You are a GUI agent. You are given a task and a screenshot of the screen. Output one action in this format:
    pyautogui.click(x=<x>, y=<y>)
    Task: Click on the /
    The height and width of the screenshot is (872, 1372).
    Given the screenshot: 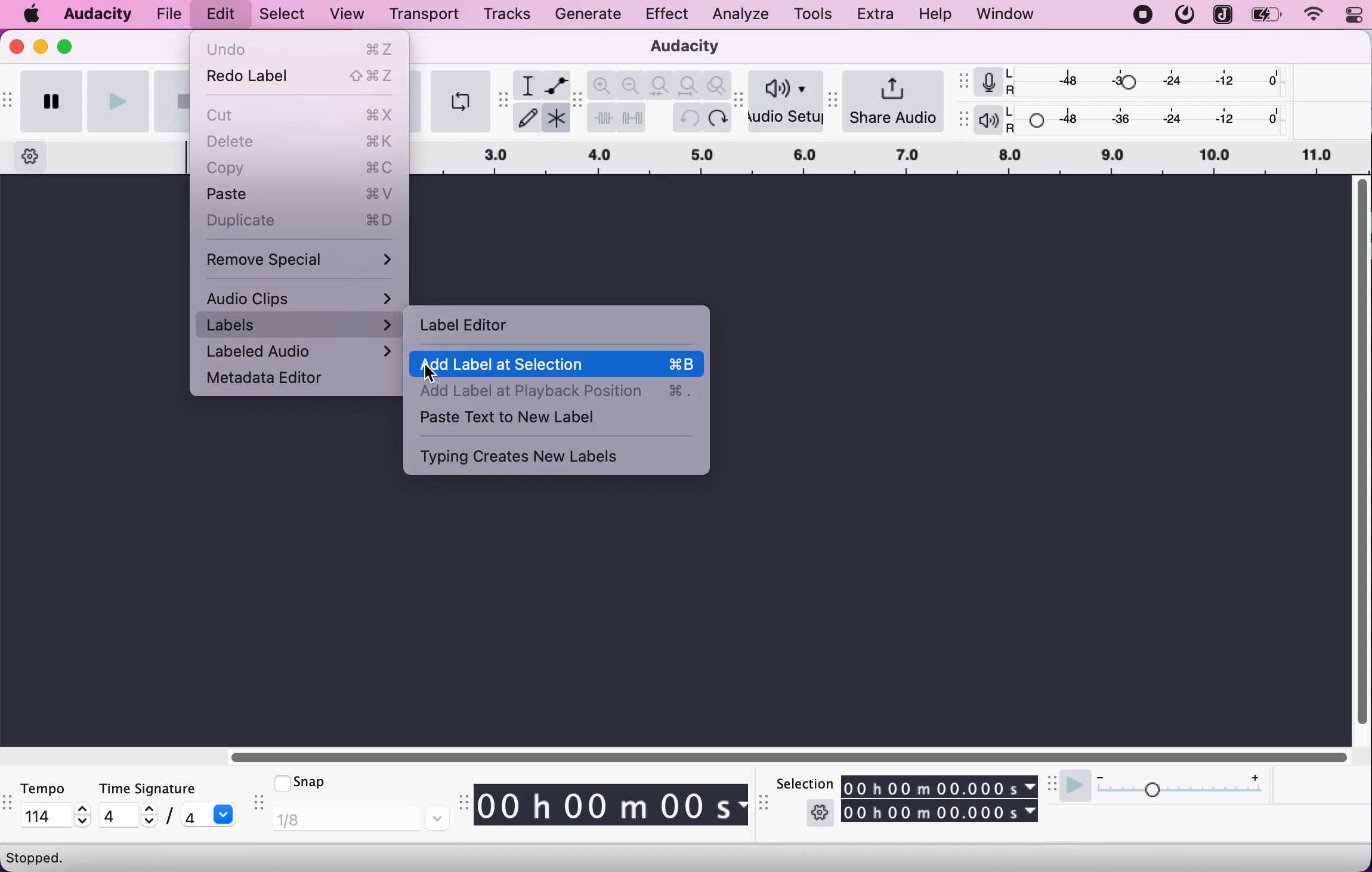 What is the action you would take?
    pyautogui.click(x=168, y=818)
    